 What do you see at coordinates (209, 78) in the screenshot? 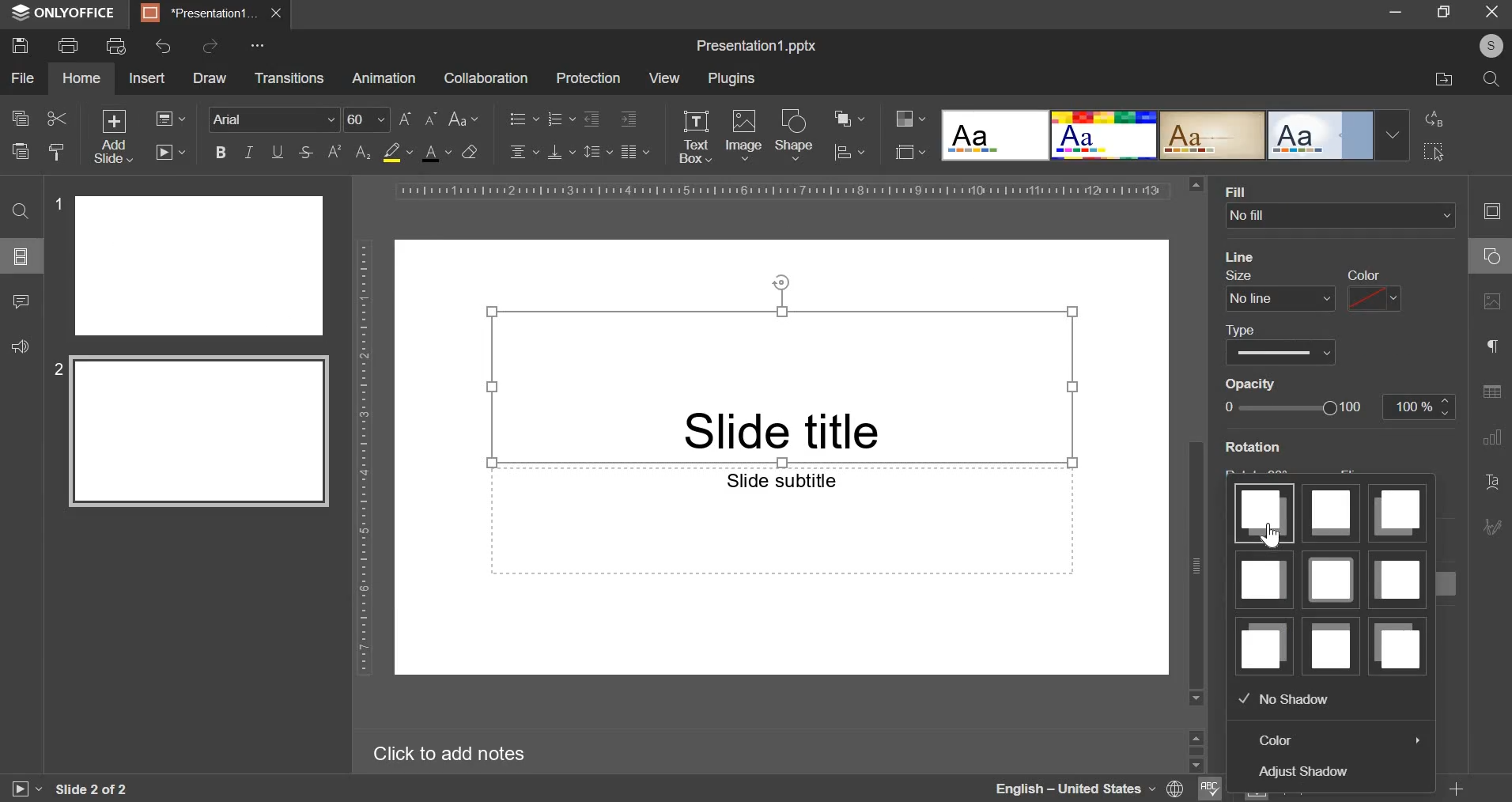
I see `draw` at bounding box center [209, 78].